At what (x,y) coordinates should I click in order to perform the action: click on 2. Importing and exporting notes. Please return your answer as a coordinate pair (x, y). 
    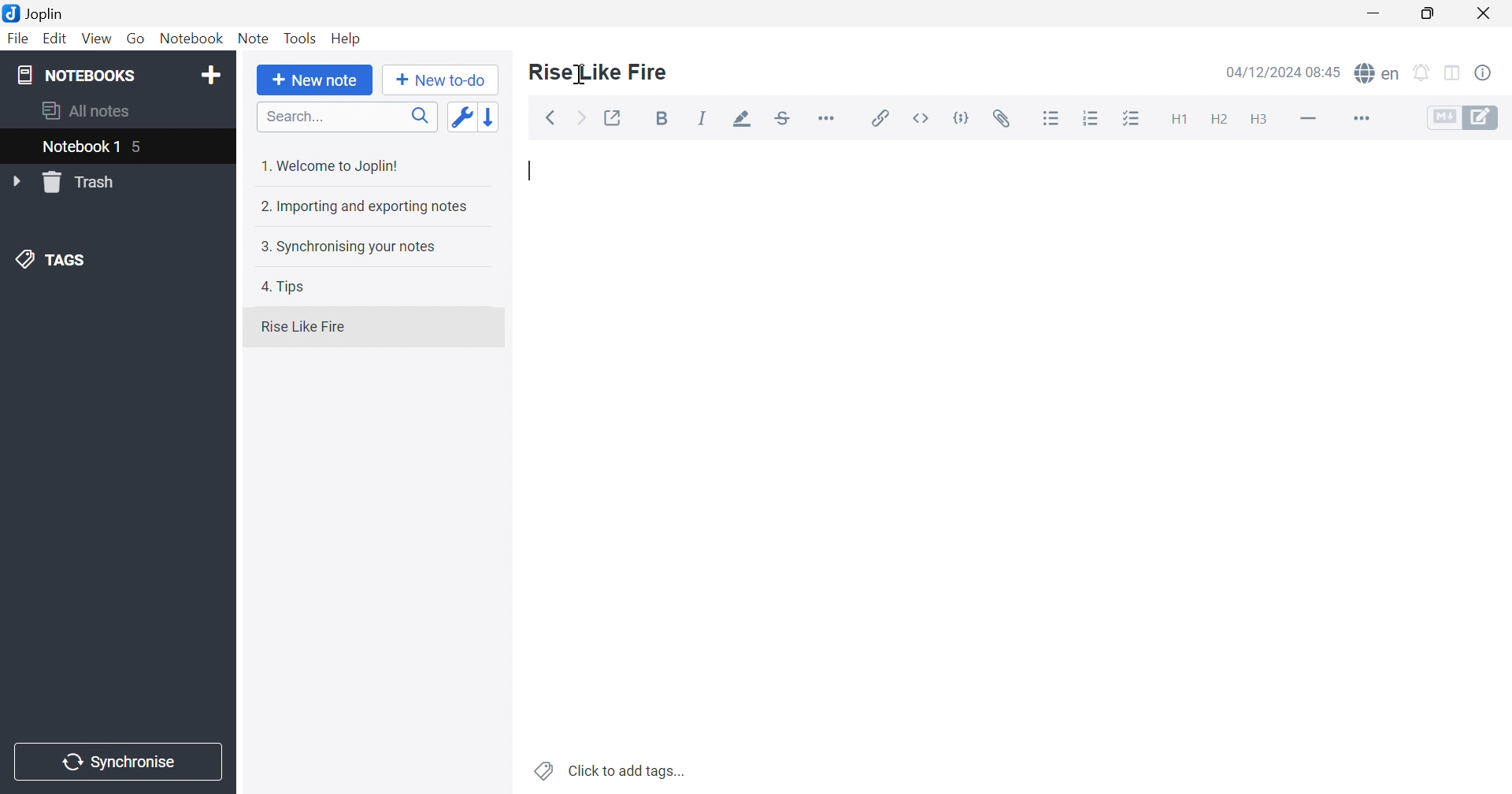
    Looking at the image, I should click on (361, 208).